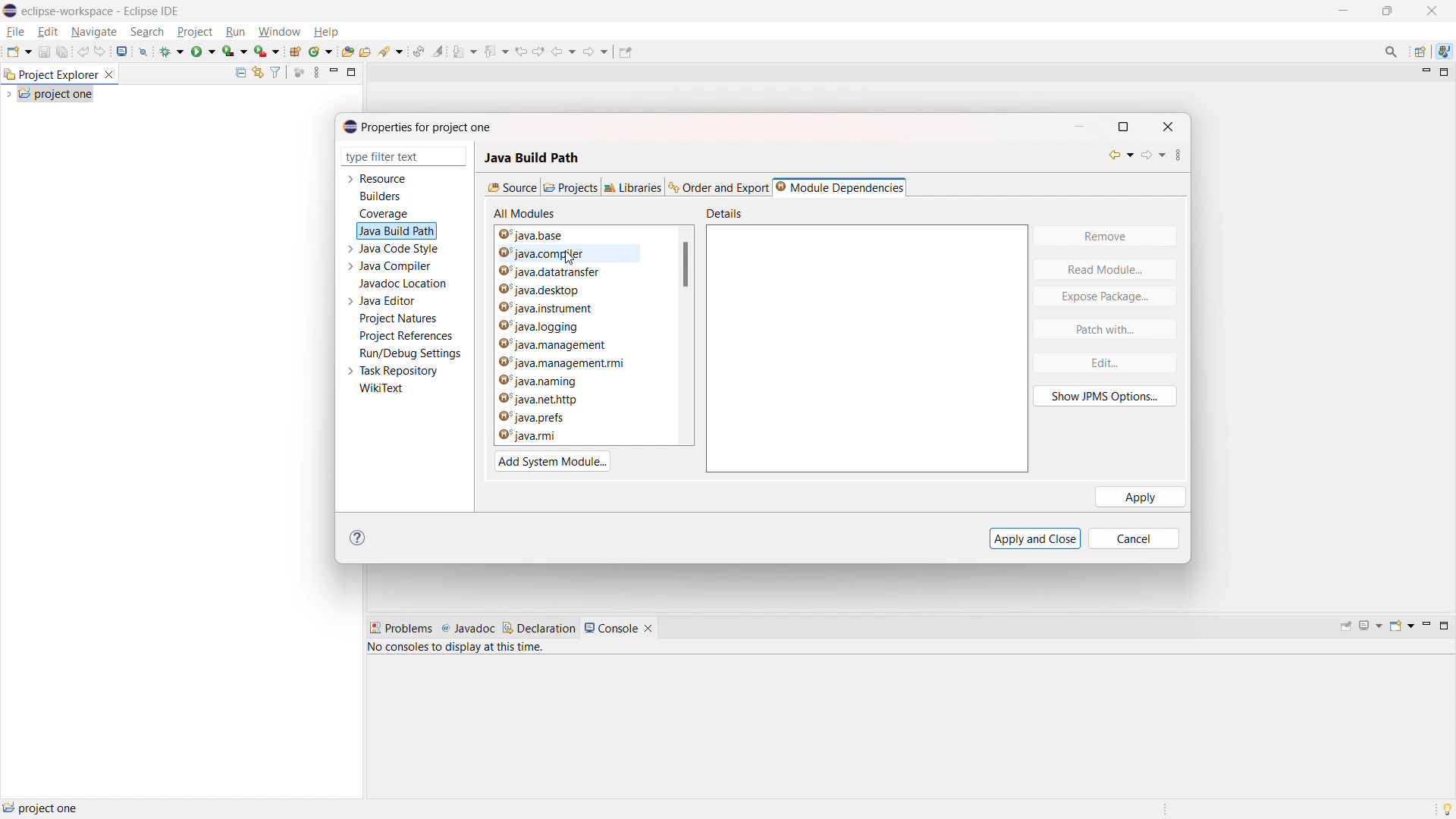 The image size is (1456, 819). I want to click on wikitext, so click(382, 389).